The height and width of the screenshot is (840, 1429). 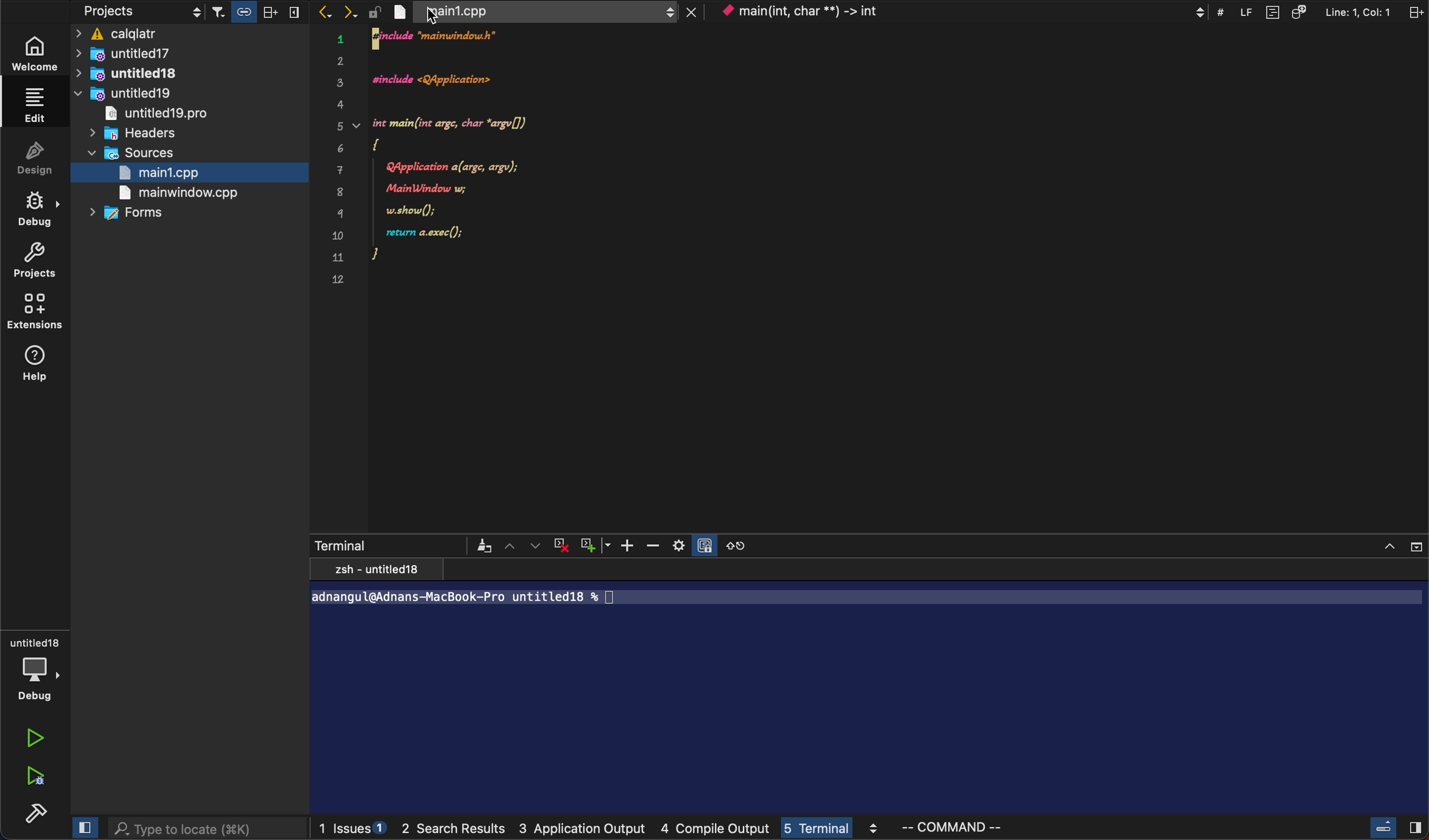 I want to click on projects, so click(x=33, y=261).